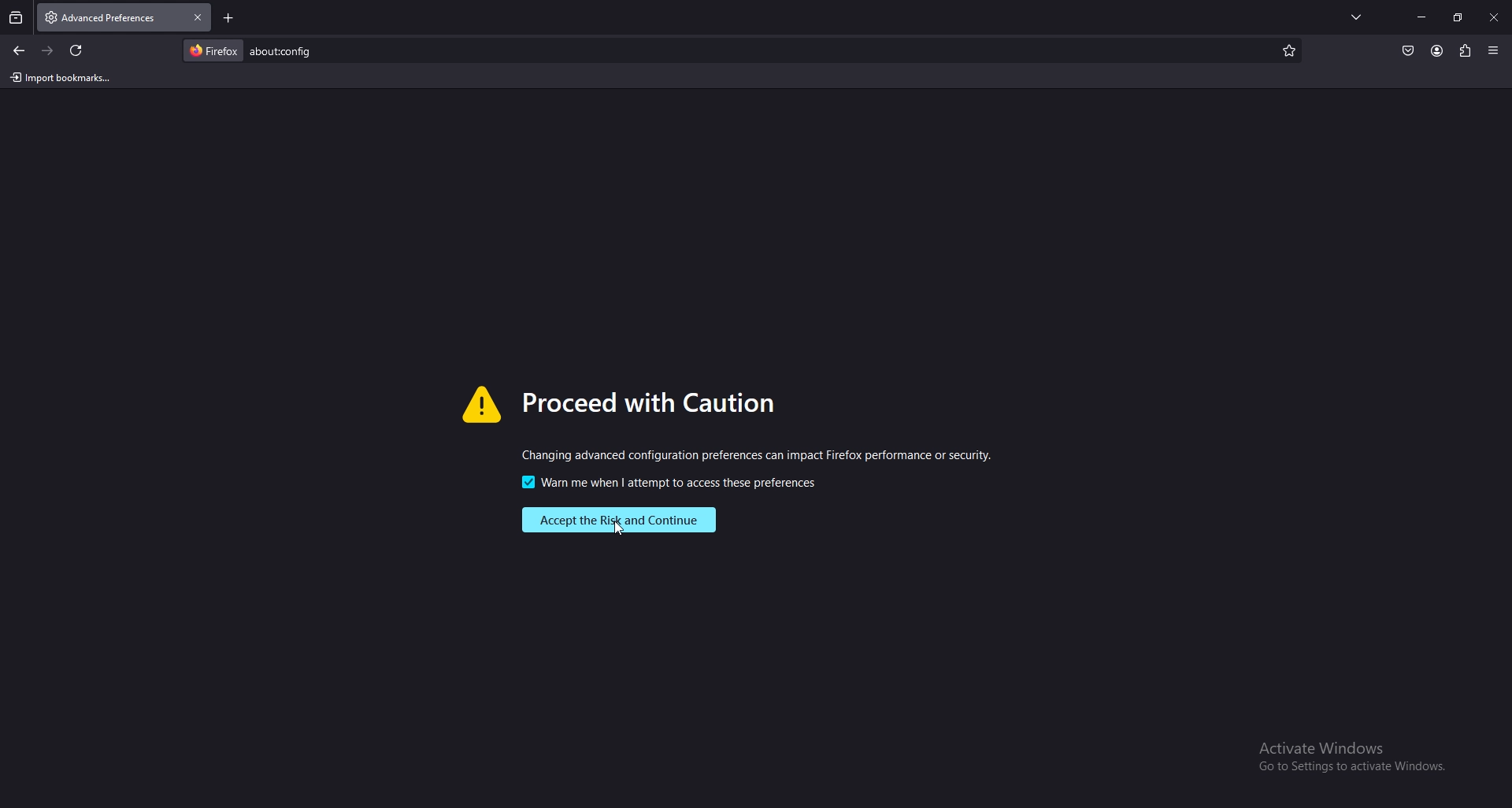 This screenshot has height=808, width=1512. I want to click on mark as favorite, so click(1290, 50).